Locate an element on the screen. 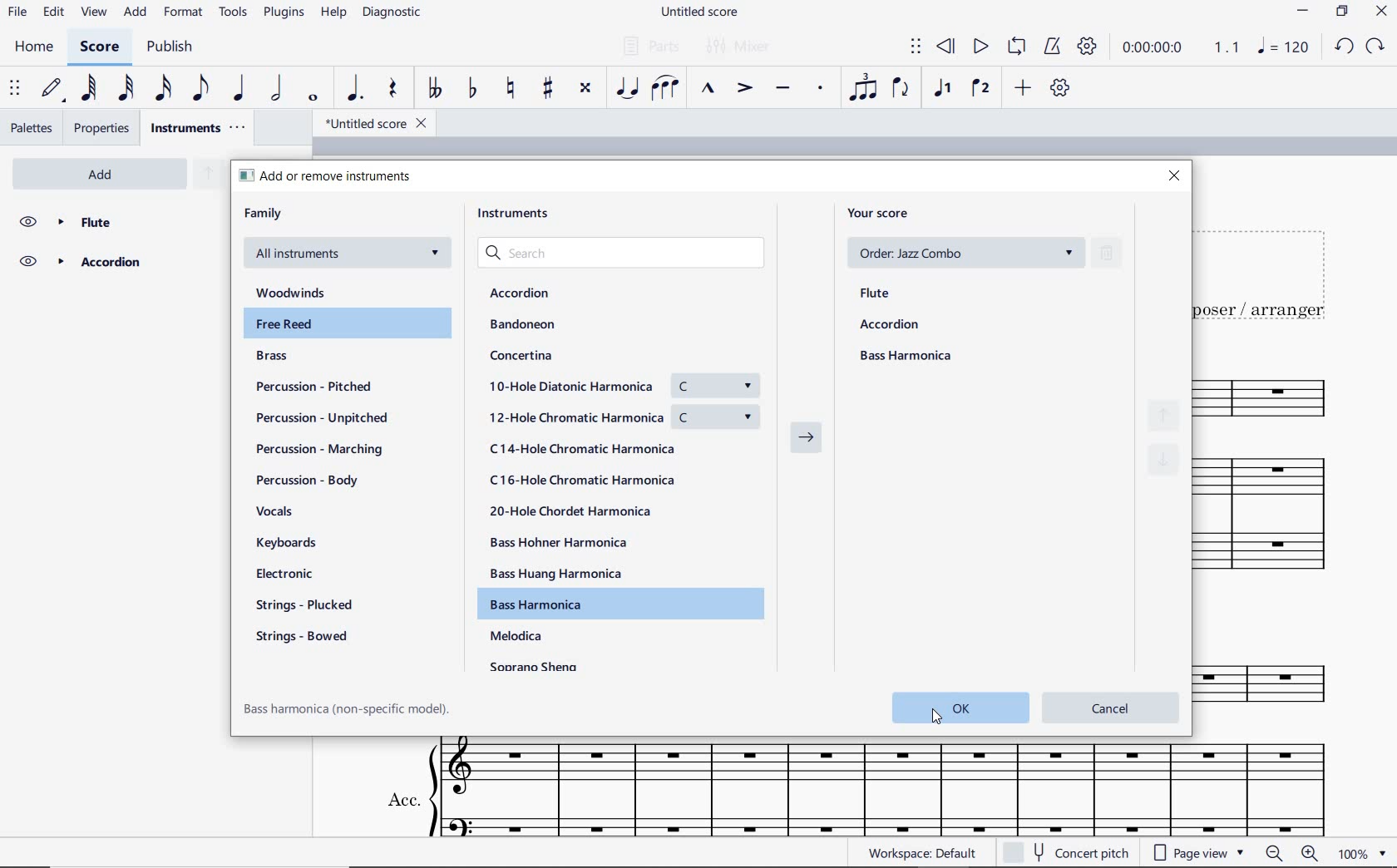  cancel is located at coordinates (1110, 705).